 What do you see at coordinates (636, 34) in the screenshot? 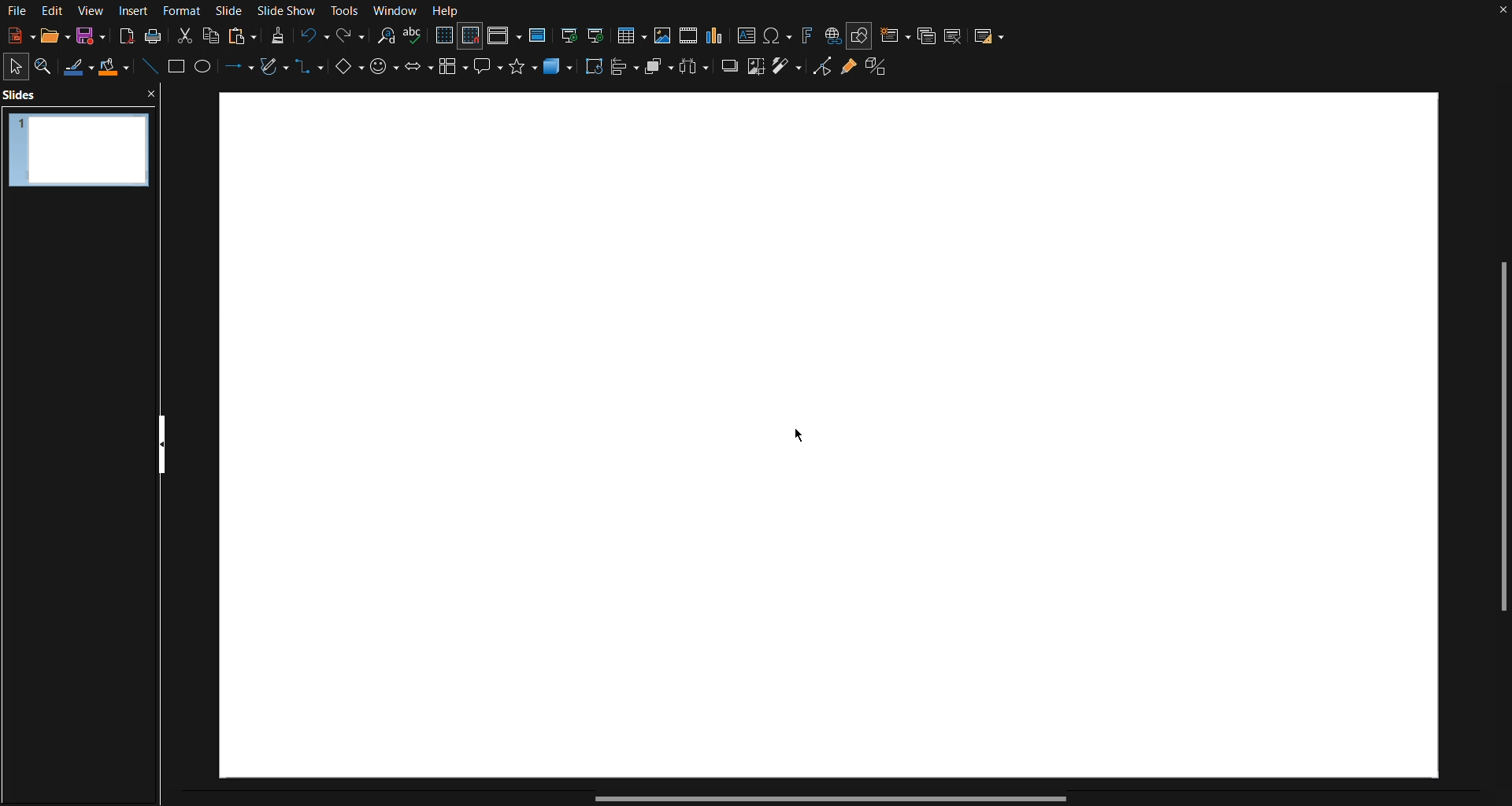
I see `Insert Table` at bounding box center [636, 34].